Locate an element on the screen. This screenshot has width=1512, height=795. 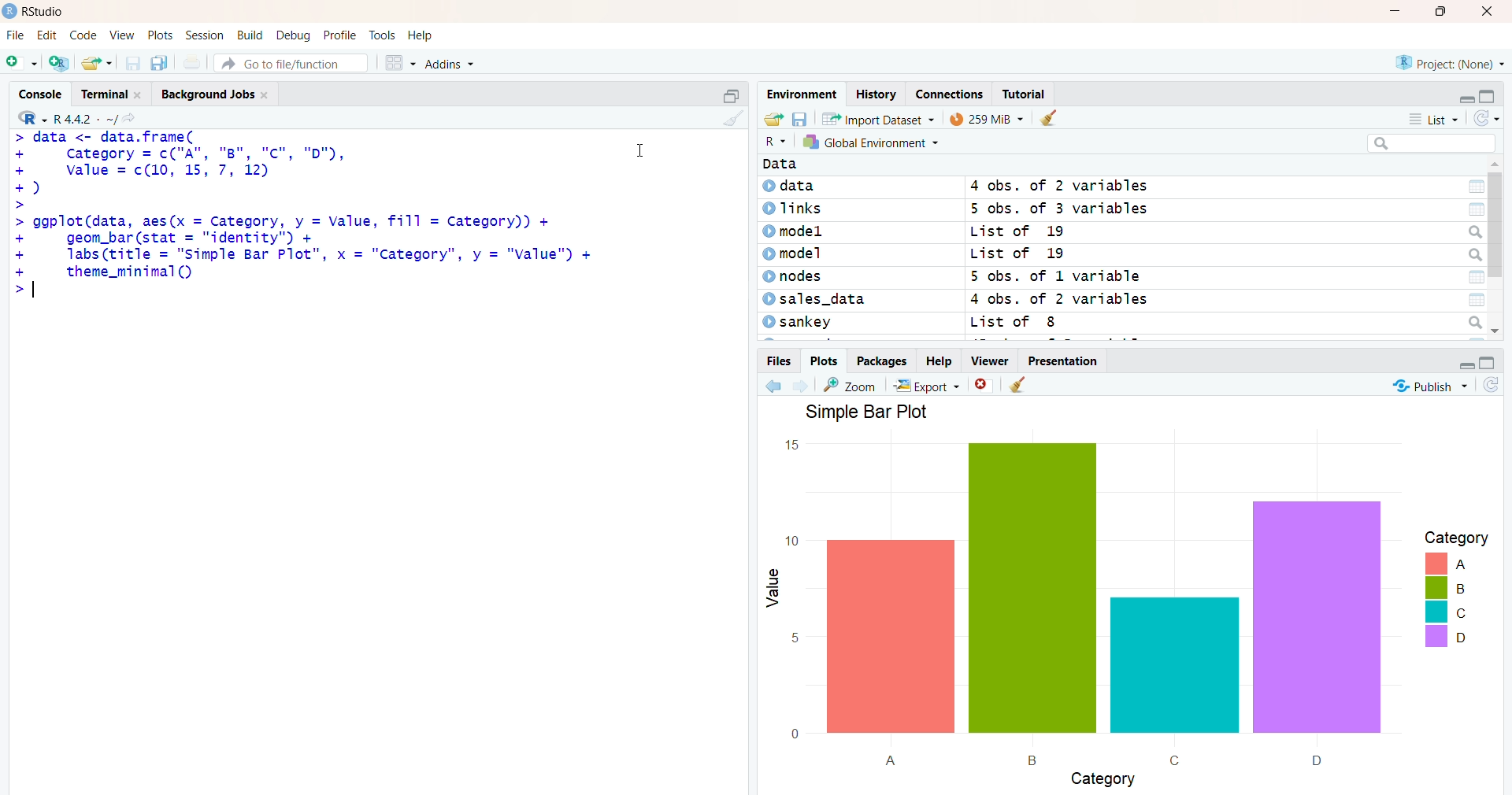
maximize is located at coordinates (1446, 11).